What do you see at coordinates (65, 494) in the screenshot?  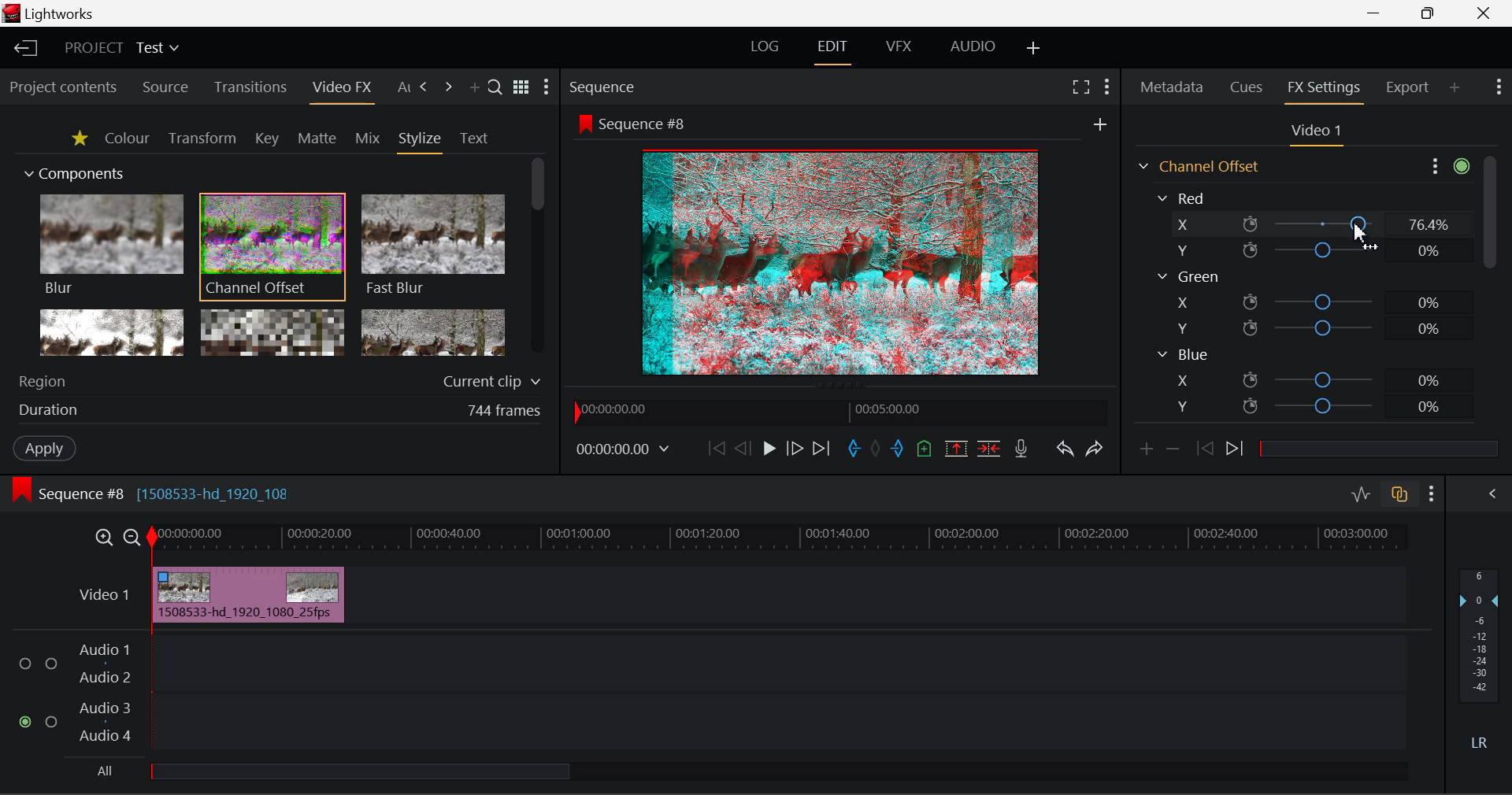 I see `Sequence Editing Level` at bounding box center [65, 494].